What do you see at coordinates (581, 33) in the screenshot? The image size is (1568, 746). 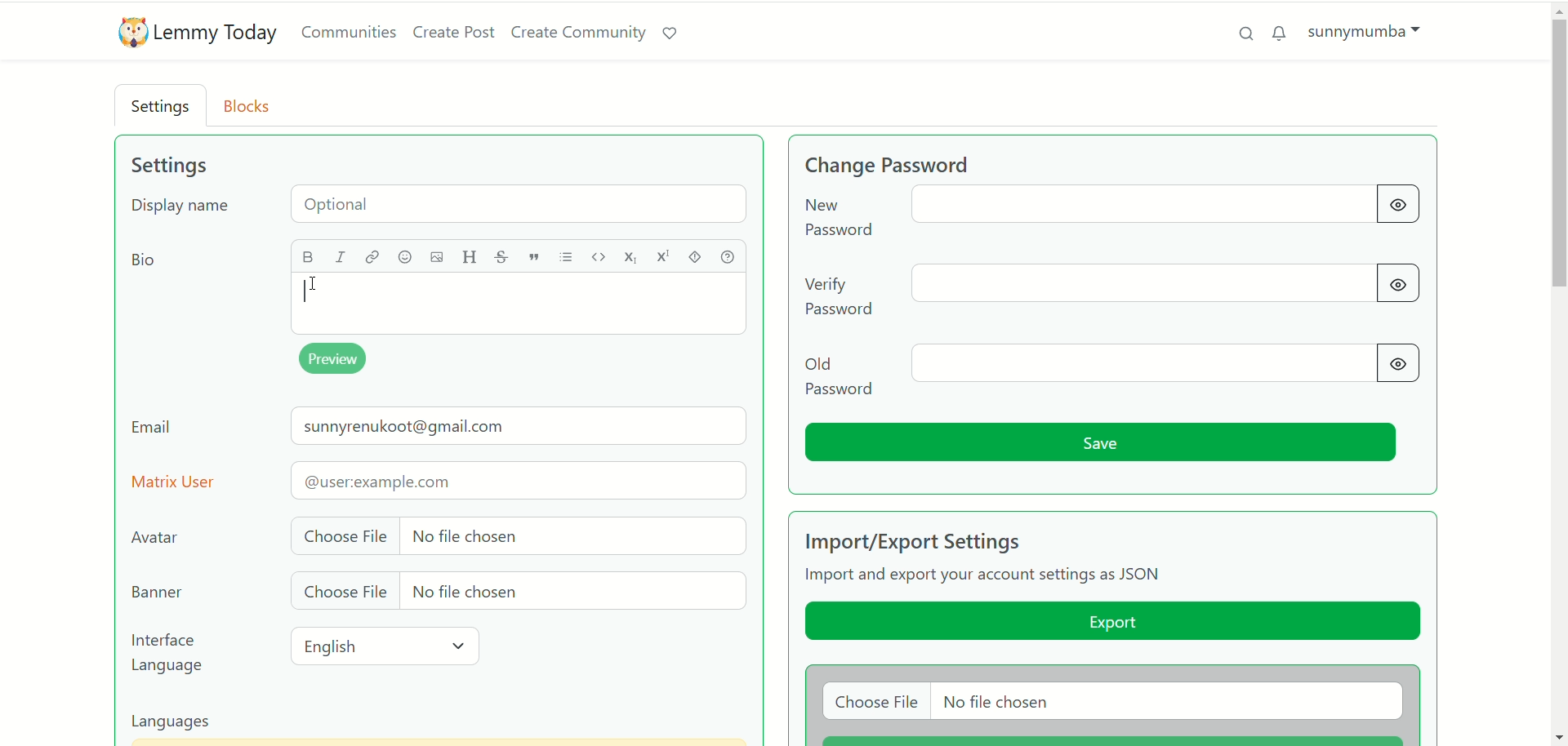 I see `create community` at bounding box center [581, 33].